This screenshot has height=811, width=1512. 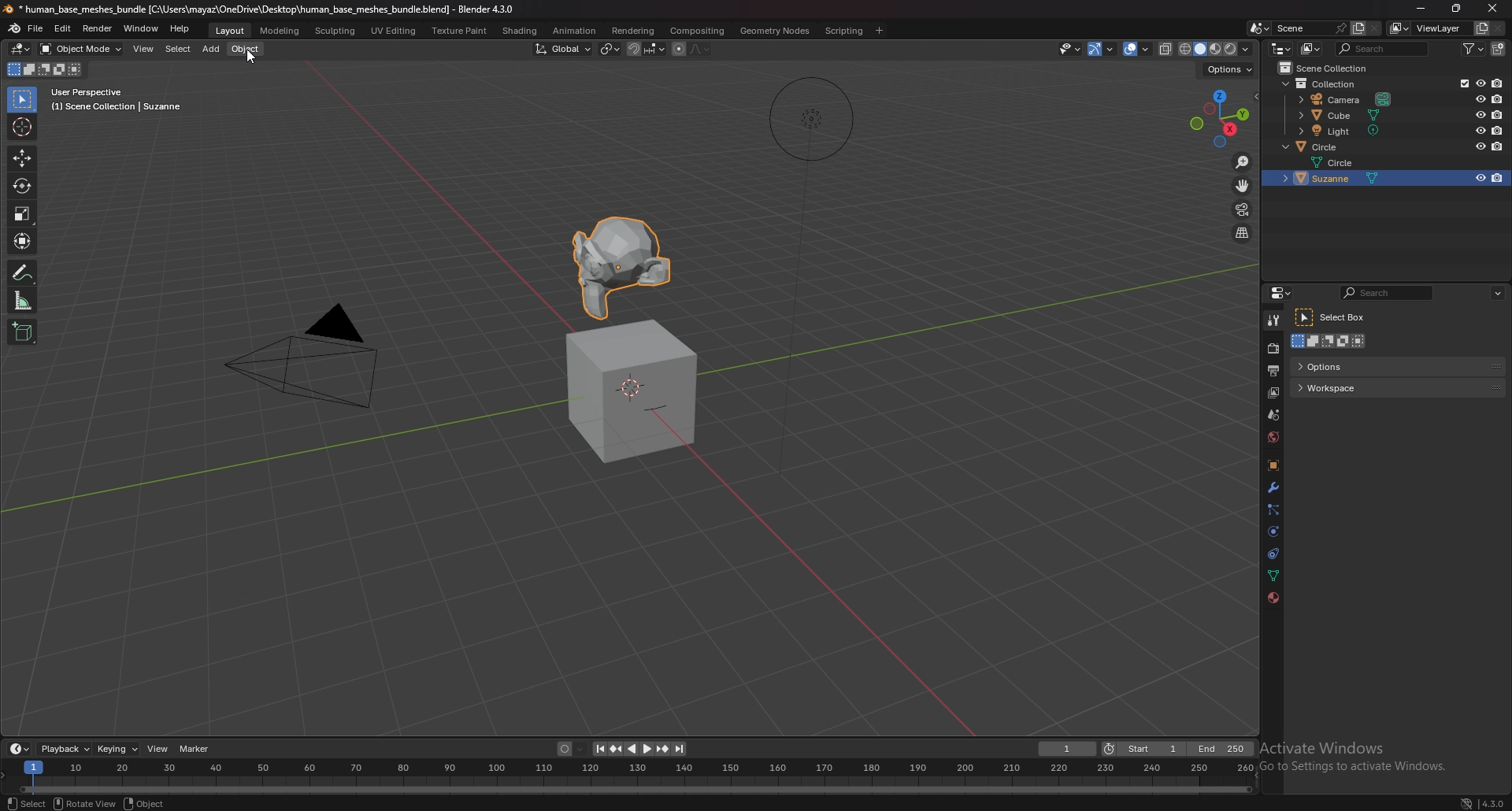 What do you see at coordinates (1273, 415) in the screenshot?
I see `scene` at bounding box center [1273, 415].